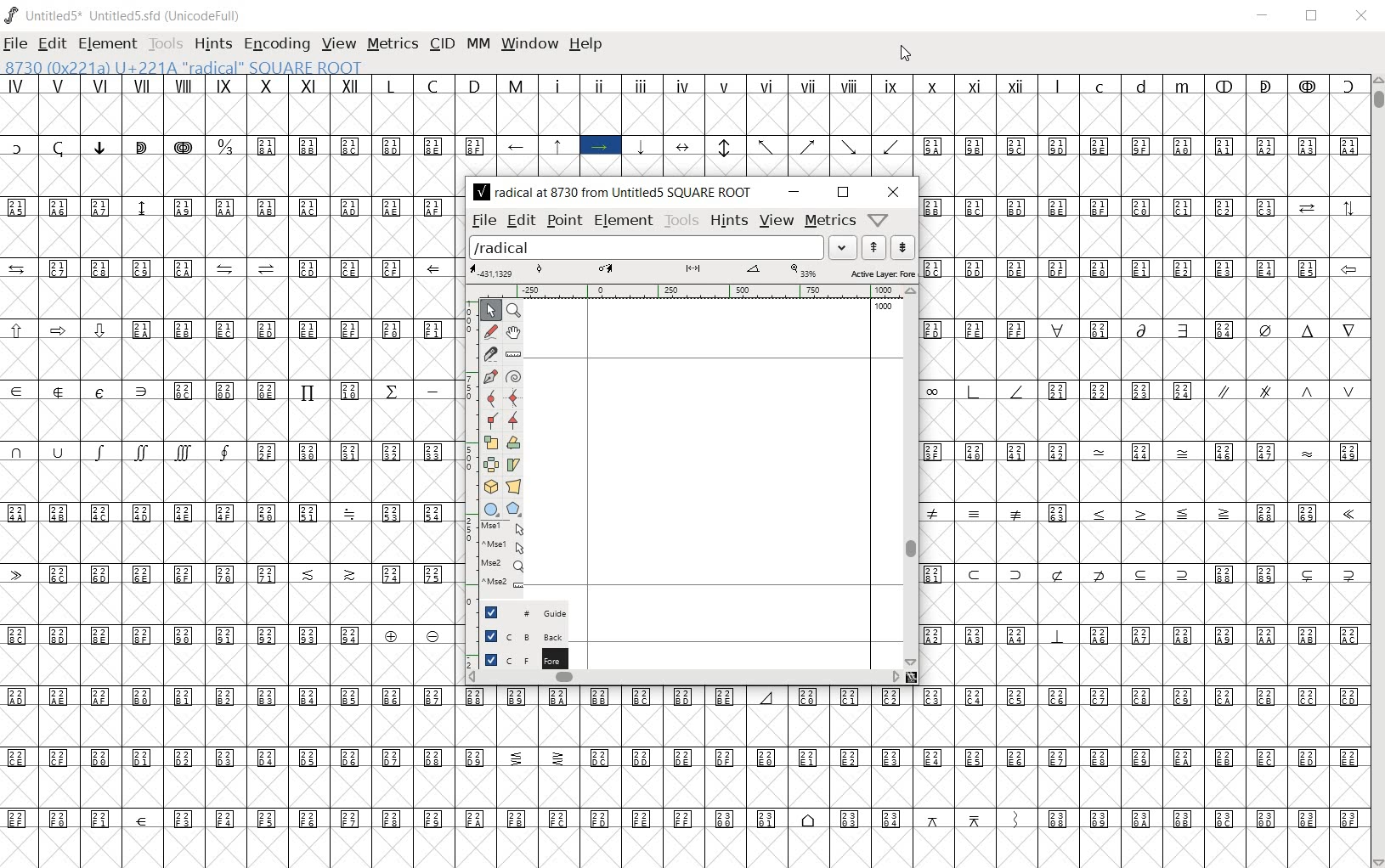 The image size is (1385, 868). What do you see at coordinates (512, 488) in the screenshot?
I see `perform a perspective transformation on the selection` at bounding box center [512, 488].